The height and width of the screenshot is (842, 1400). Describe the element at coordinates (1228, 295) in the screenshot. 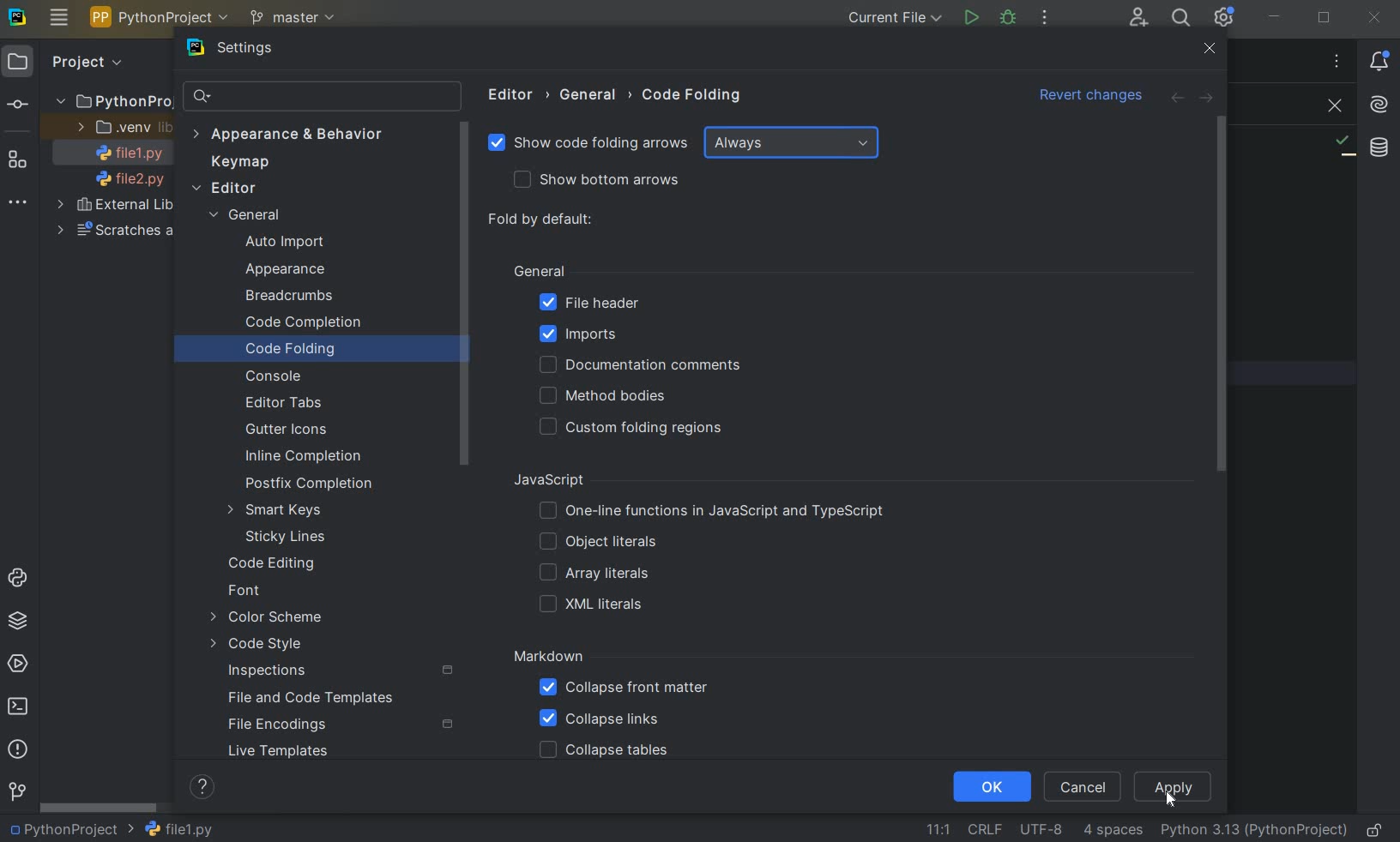

I see `SCROLLBAR` at that location.